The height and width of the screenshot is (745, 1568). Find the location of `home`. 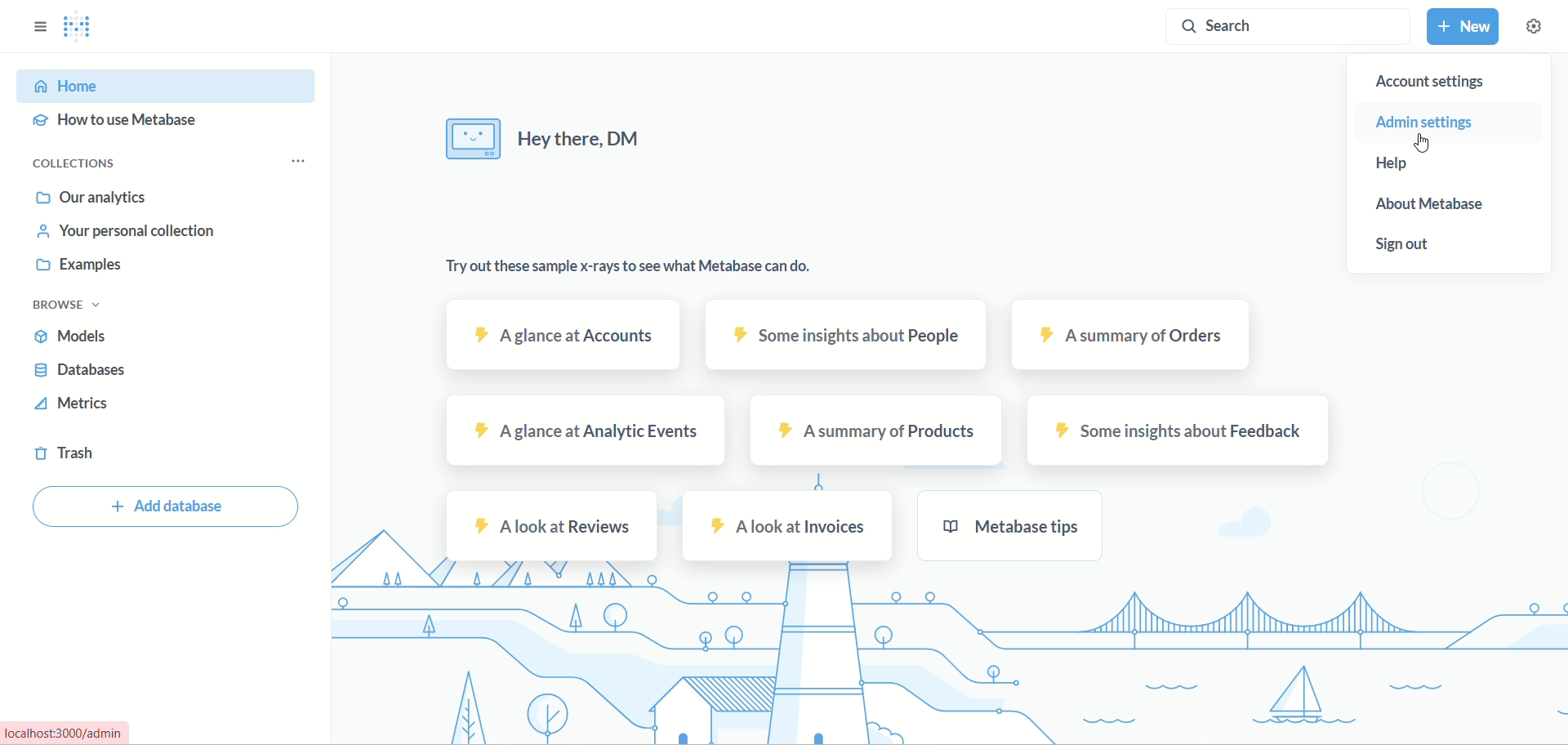

home is located at coordinates (169, 83).